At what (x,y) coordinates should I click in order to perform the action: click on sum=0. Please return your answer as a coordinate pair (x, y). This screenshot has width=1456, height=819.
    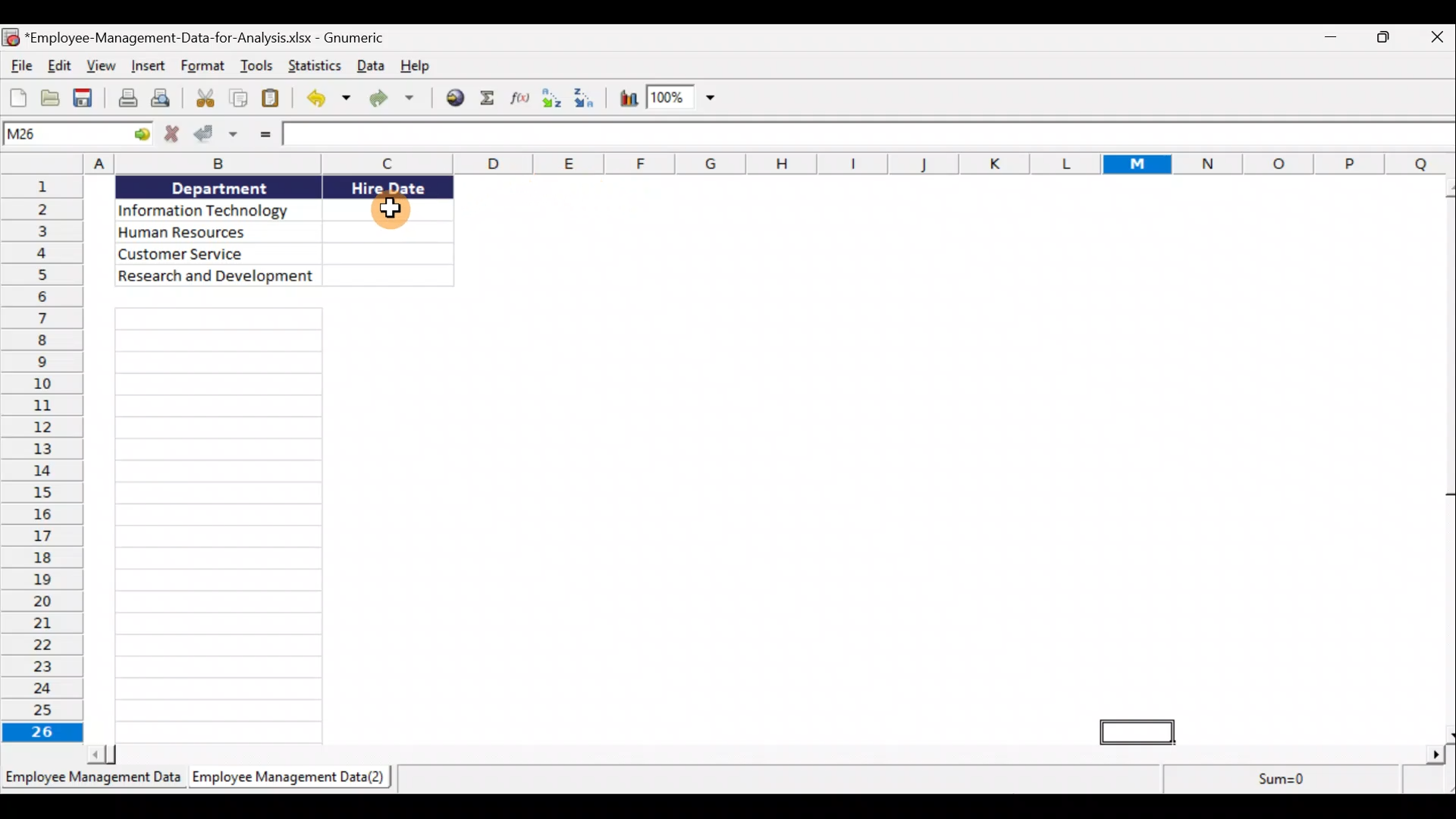
    Looking at the image, I should click on (1288, 782).